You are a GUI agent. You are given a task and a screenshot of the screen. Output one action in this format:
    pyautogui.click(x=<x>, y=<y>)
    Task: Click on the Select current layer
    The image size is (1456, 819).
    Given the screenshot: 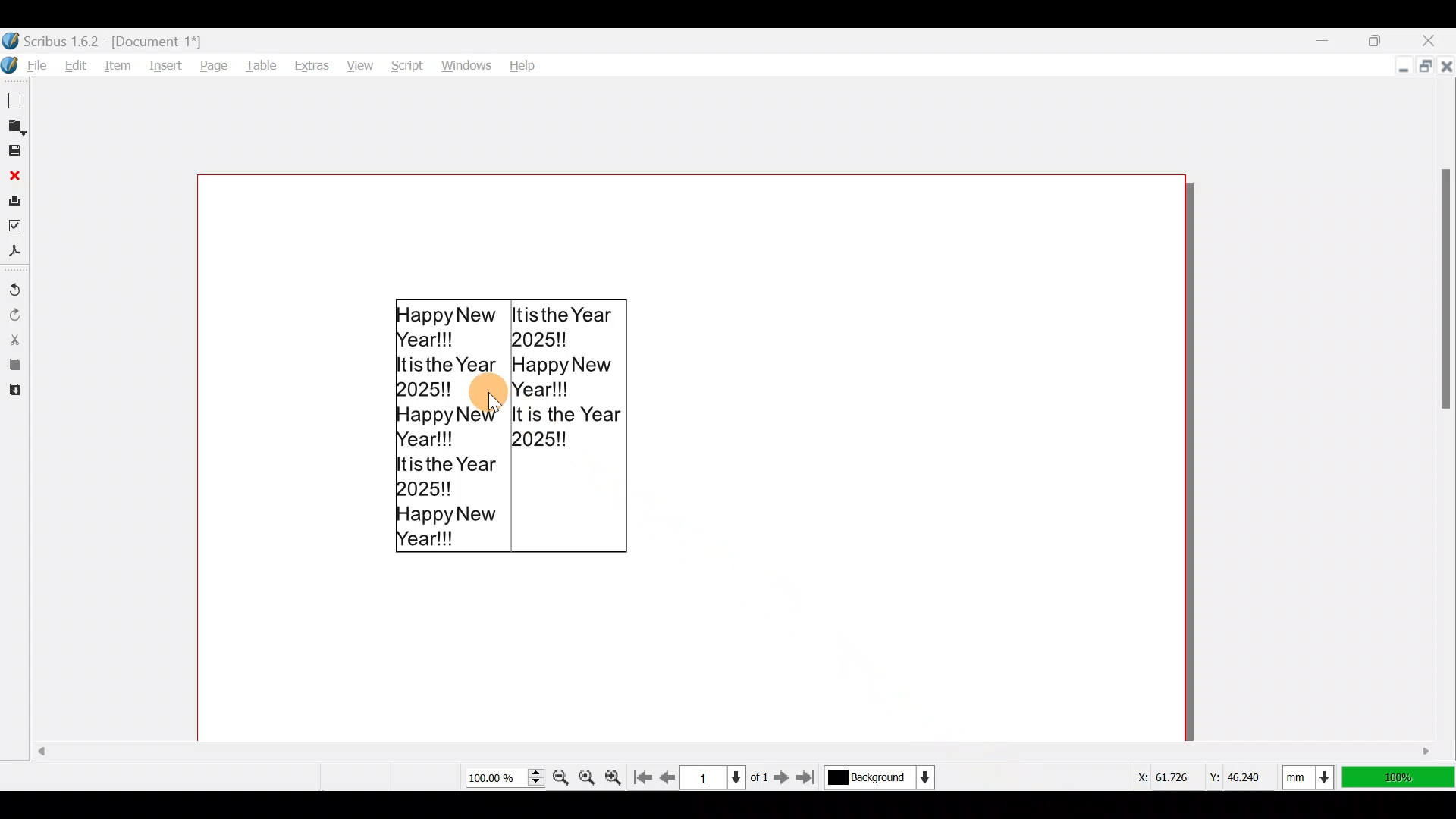 What is the action you would take?
    pyautogui.click(x=878, y=778)
    